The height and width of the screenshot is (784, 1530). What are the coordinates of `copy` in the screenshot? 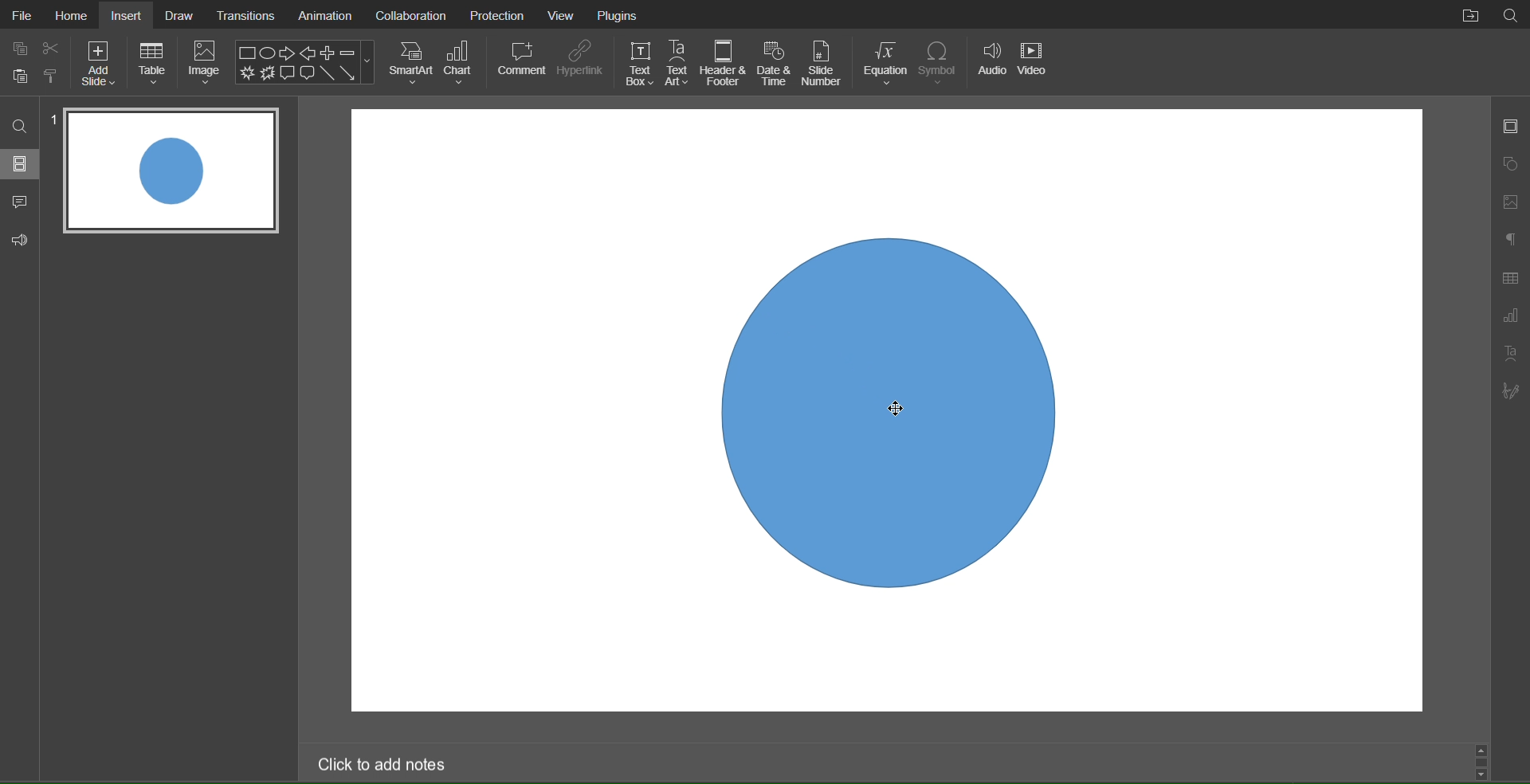 It's located at (19, 49).